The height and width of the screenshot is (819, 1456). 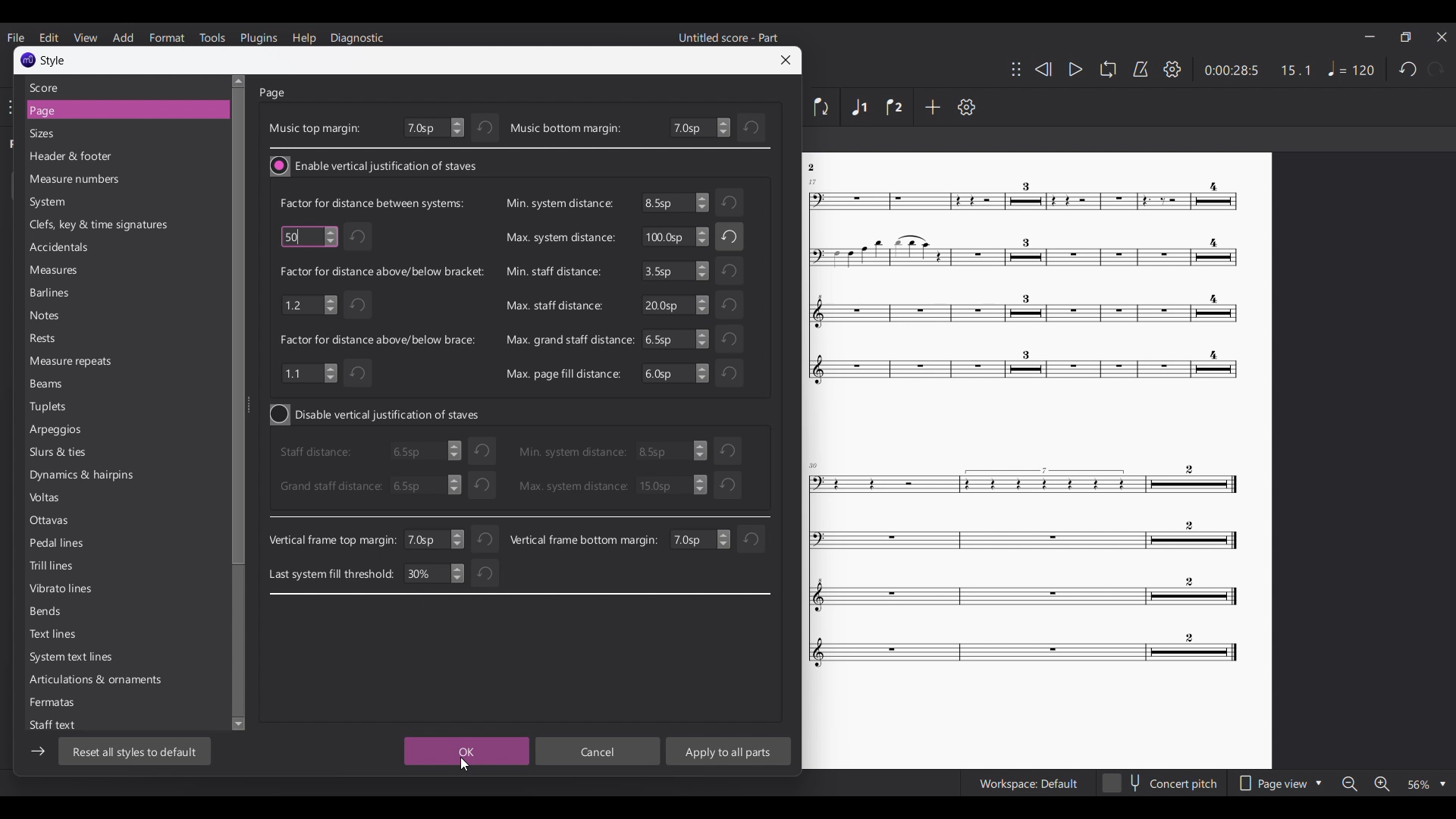 I want to click on reset, so click(x=730, y=449).